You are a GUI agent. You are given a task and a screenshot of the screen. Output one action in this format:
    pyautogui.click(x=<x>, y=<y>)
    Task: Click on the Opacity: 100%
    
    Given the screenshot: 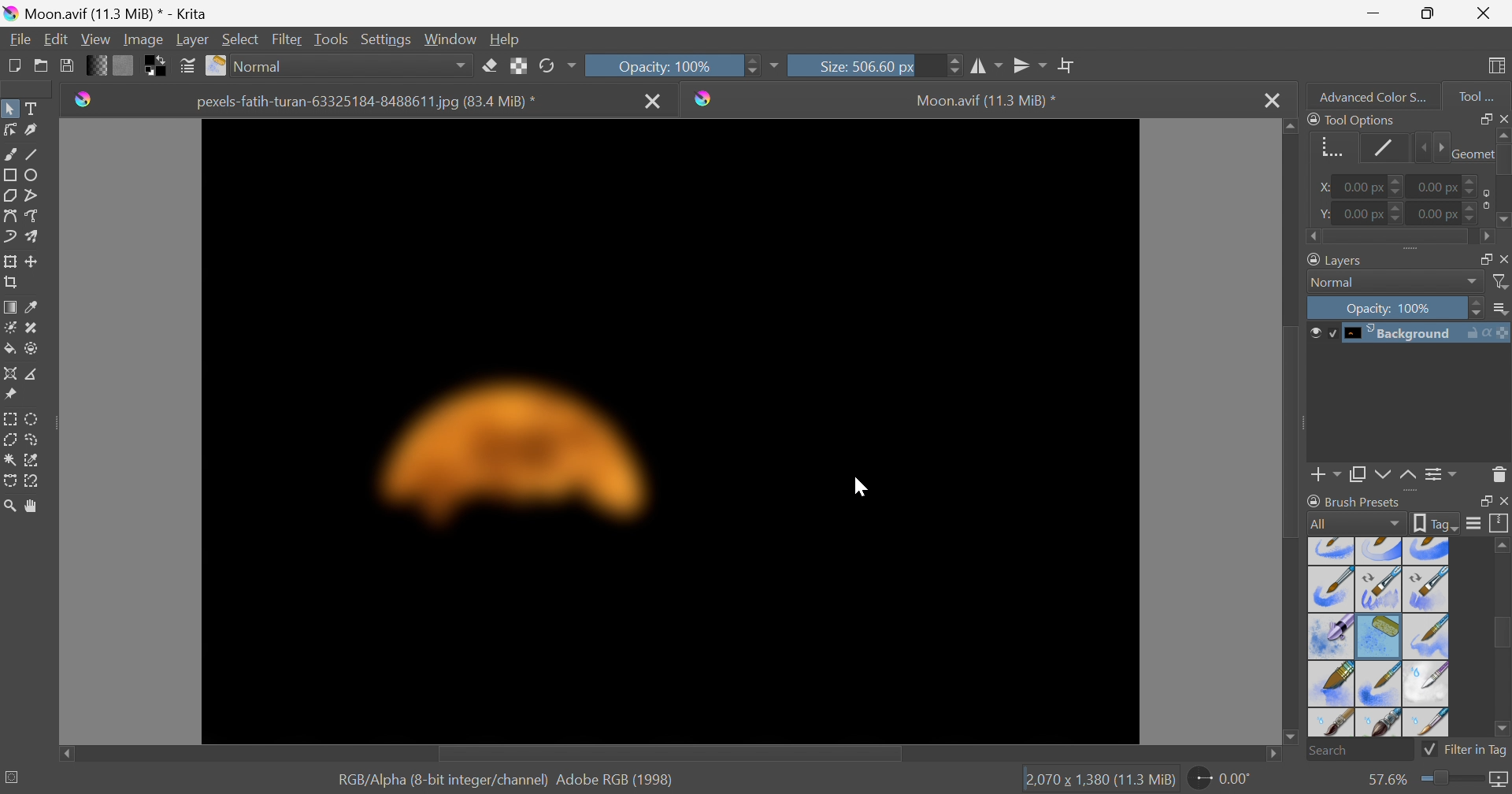 What is the action you would take?
    pyautogui.click(x=1393, y=306)
    